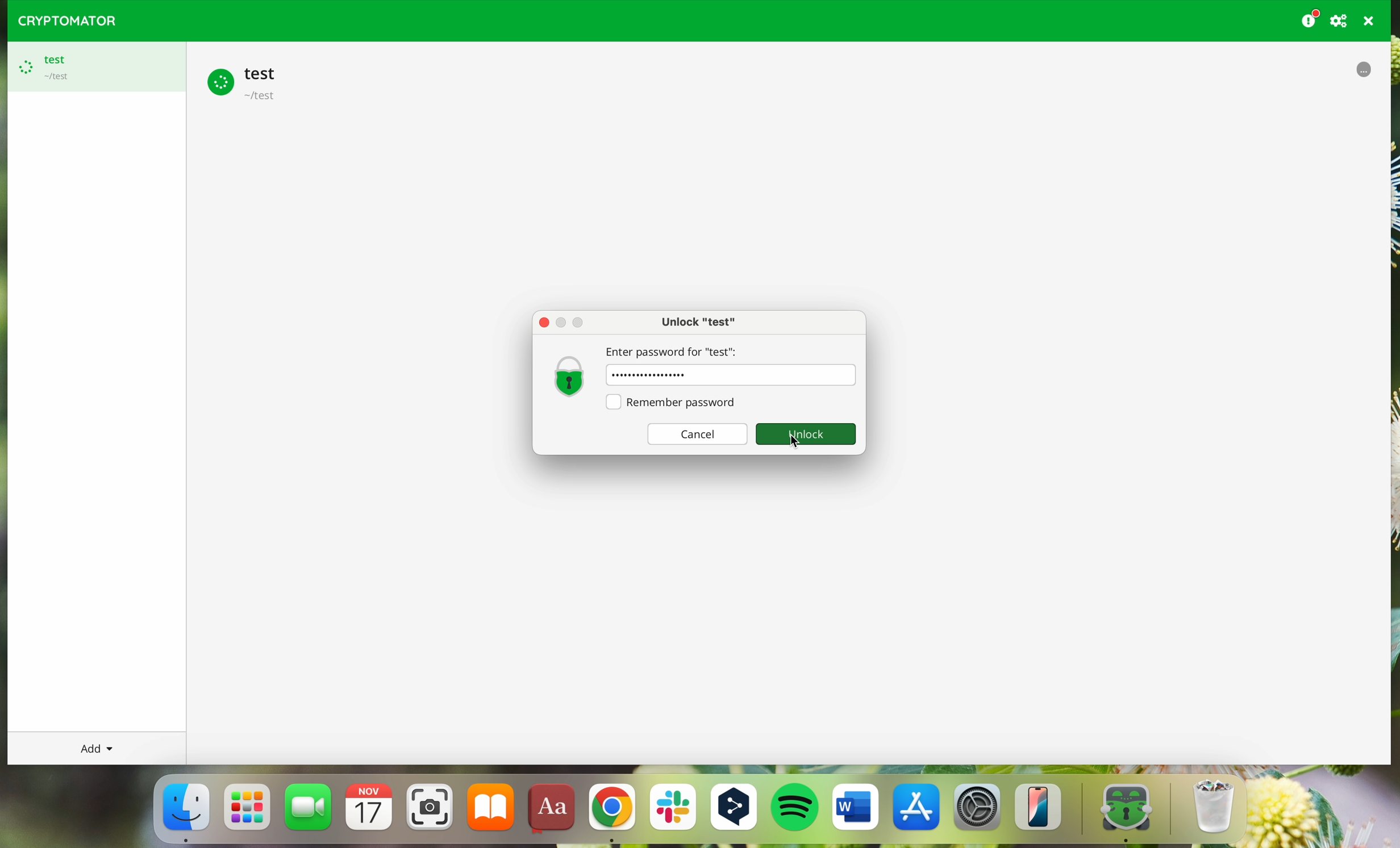  What do you see at coordinates (93, 67) in the screenshot?
I see `test vault` at bounding box center [93, 67].